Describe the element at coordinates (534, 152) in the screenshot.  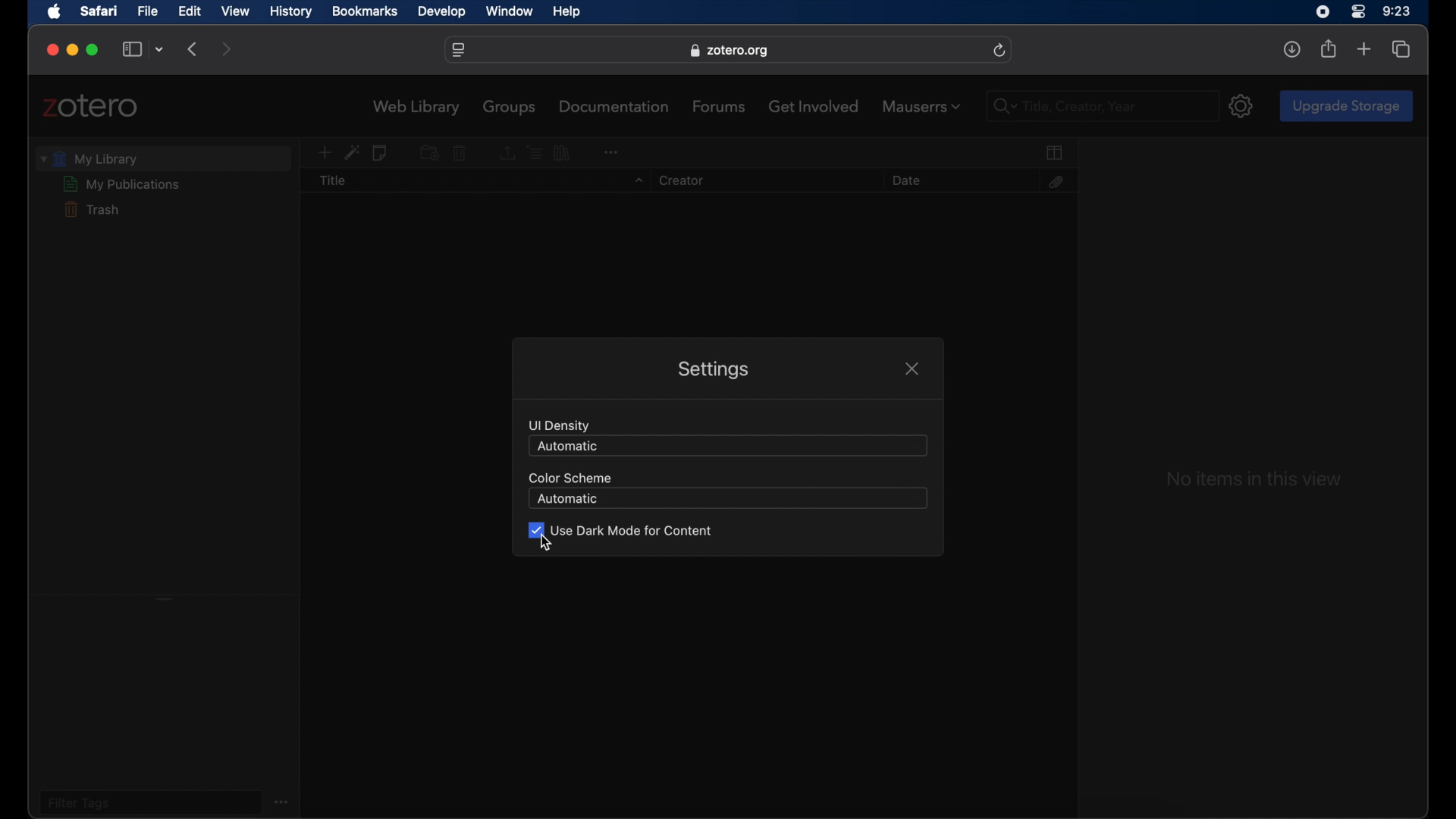
I see `create citations` at that location.